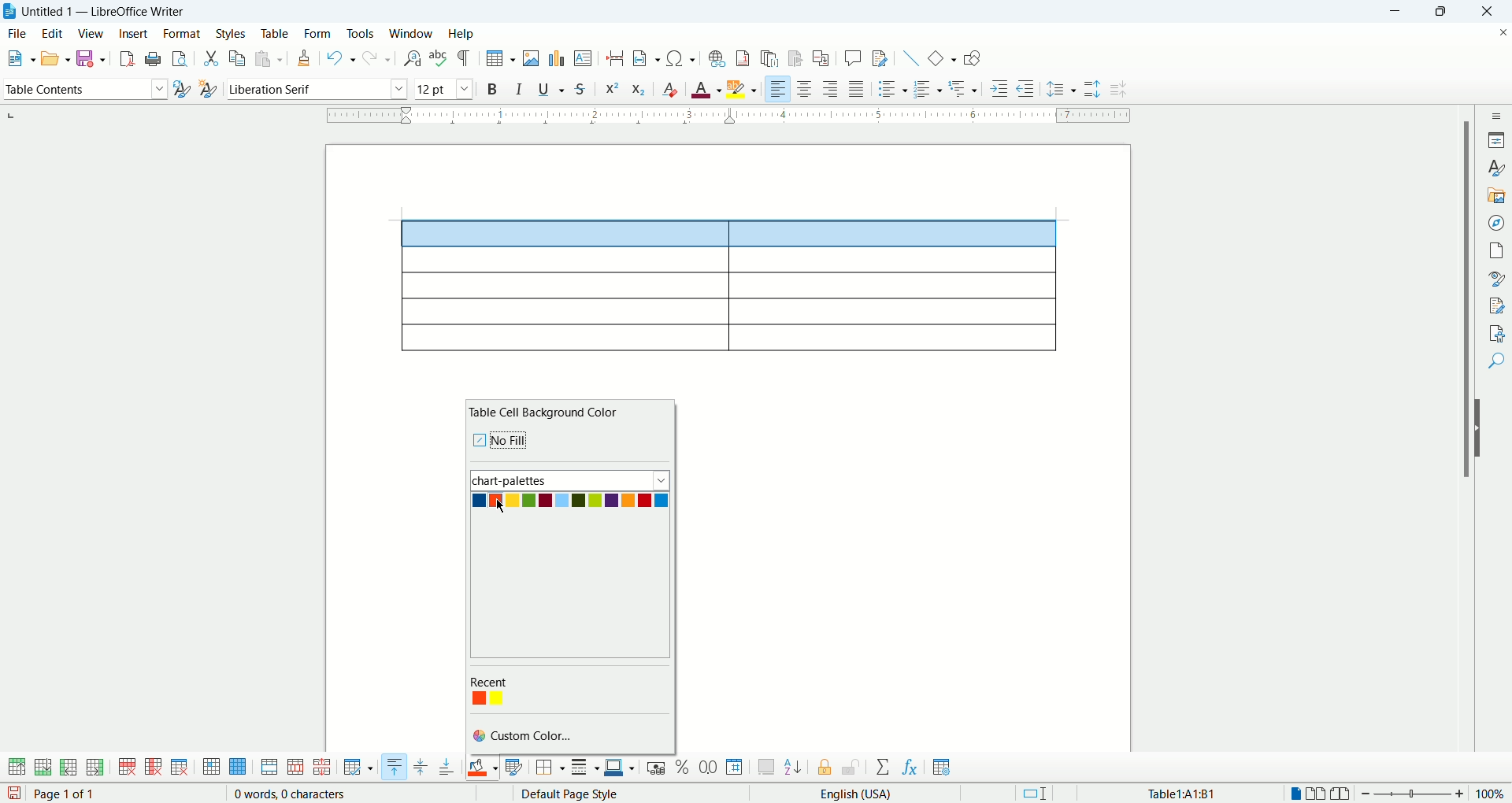  I want to click on redo, so click(378, 57).